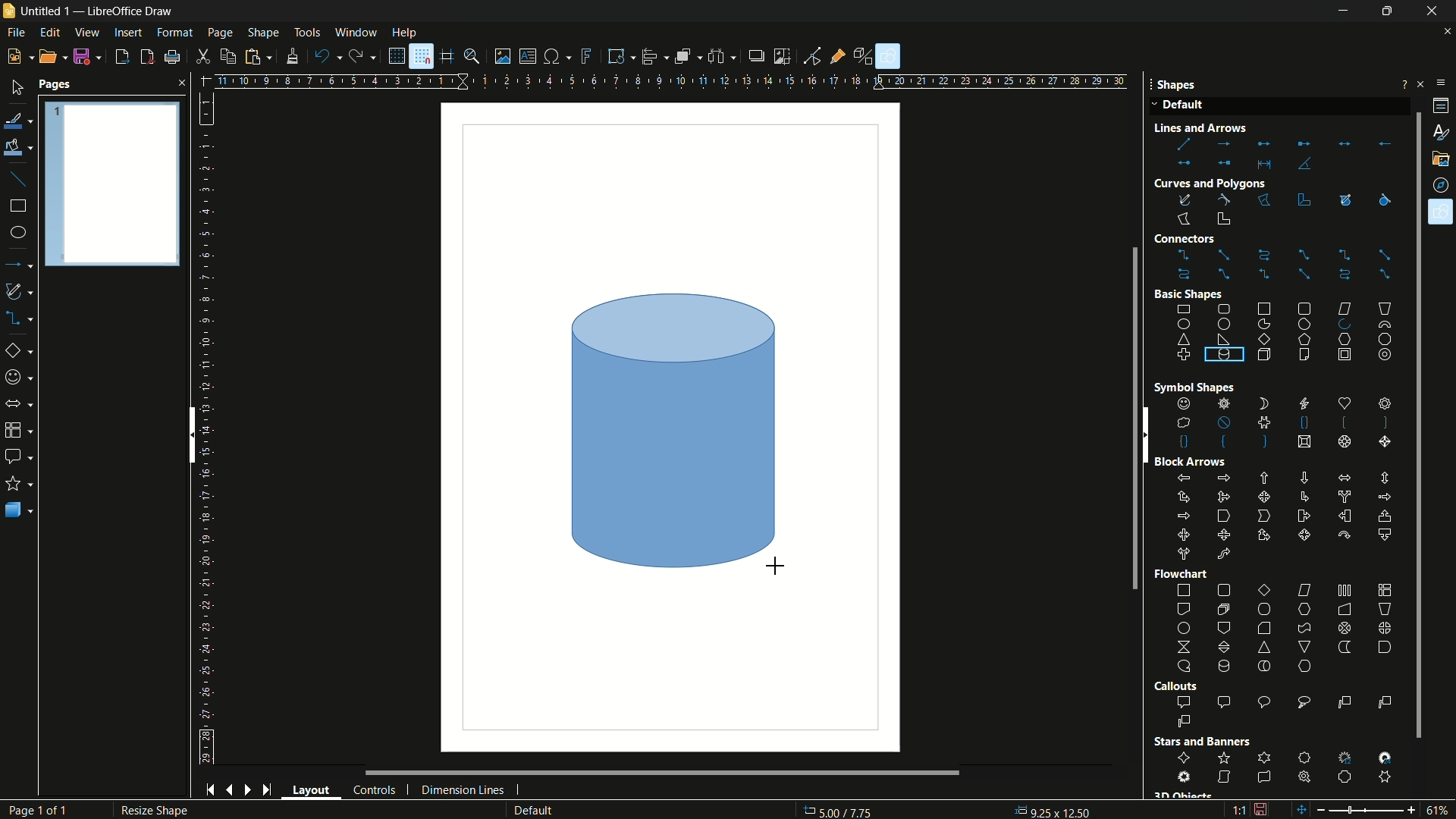 Image resolution: width=1456 pixels, height=819 pixels. I want to click on workspace, so click(670, 427).